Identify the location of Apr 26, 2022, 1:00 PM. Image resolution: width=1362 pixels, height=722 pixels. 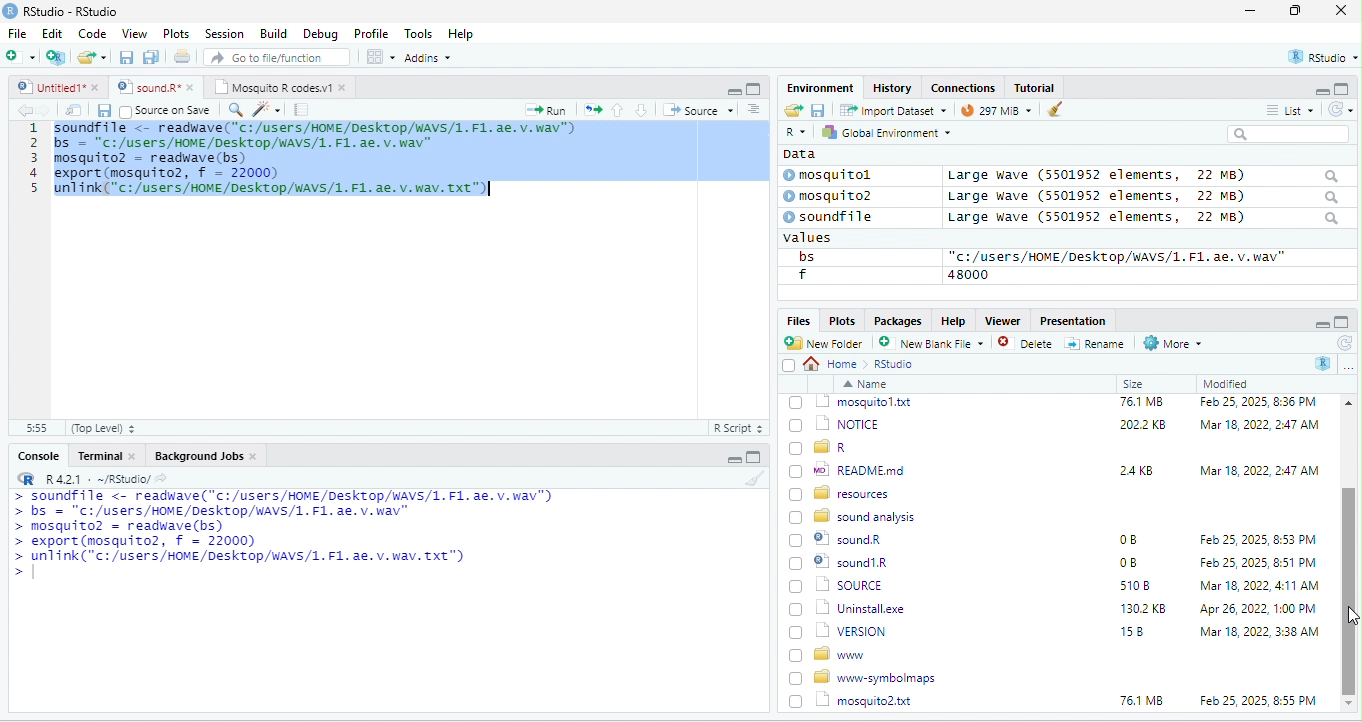
(1260, 706).